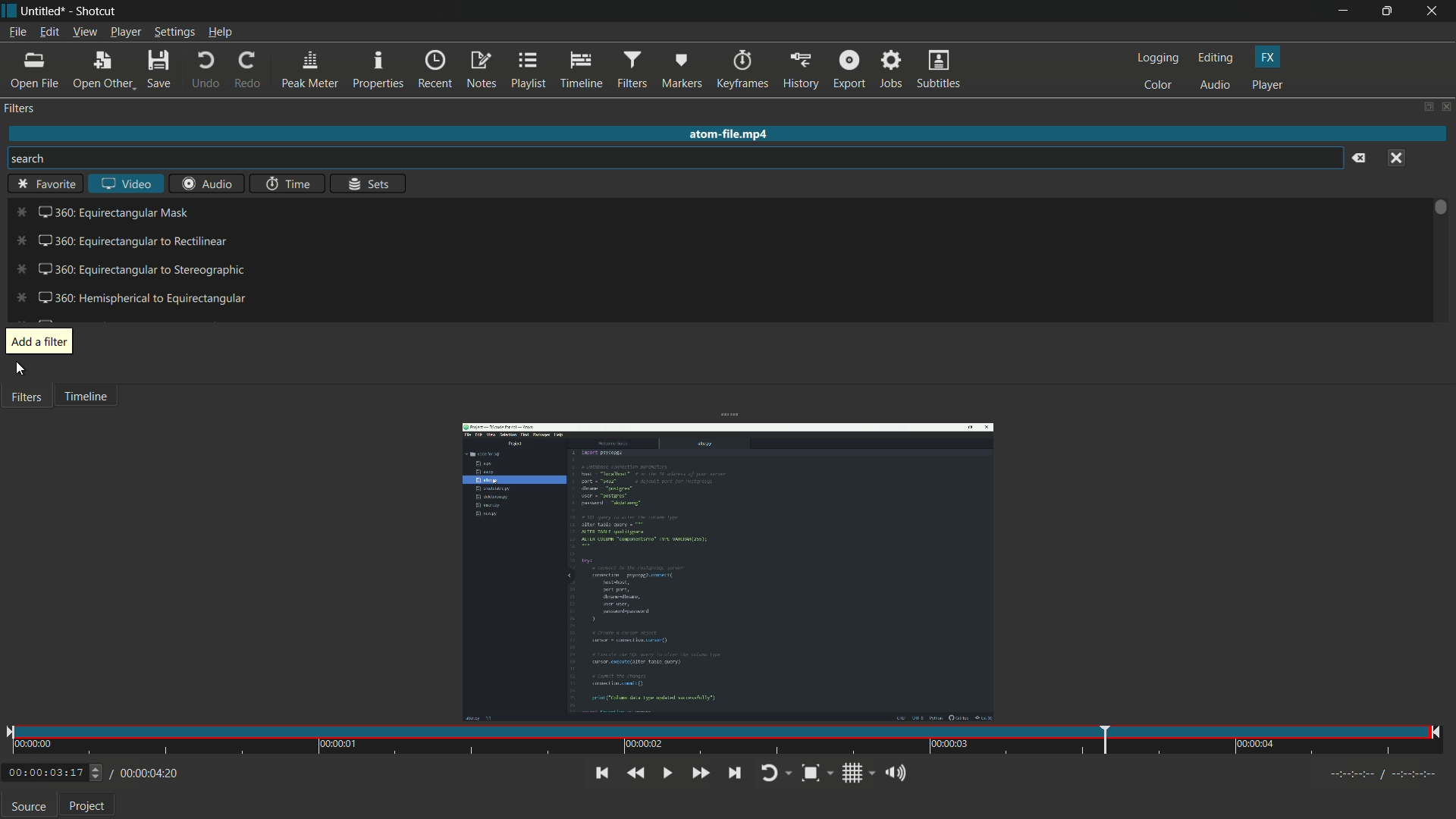 The width and height of the screenshot is (1456, 819). What do you see at coordinates (103, 212) in the screenshot?
I see `360: equirectangular mask` at bounding box center [103, 212].